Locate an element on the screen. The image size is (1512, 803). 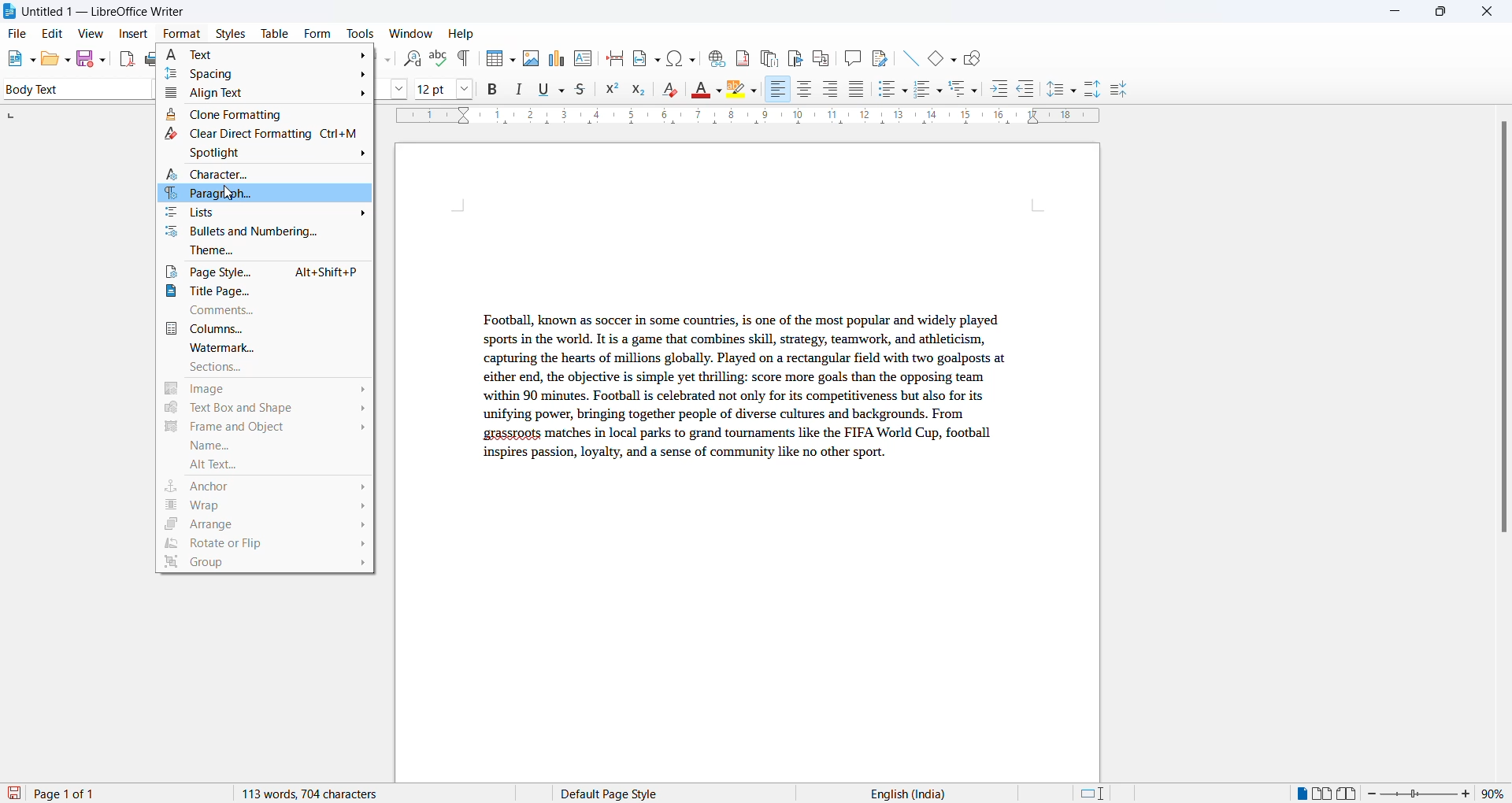
arrange is located at coordinates (263, 526).